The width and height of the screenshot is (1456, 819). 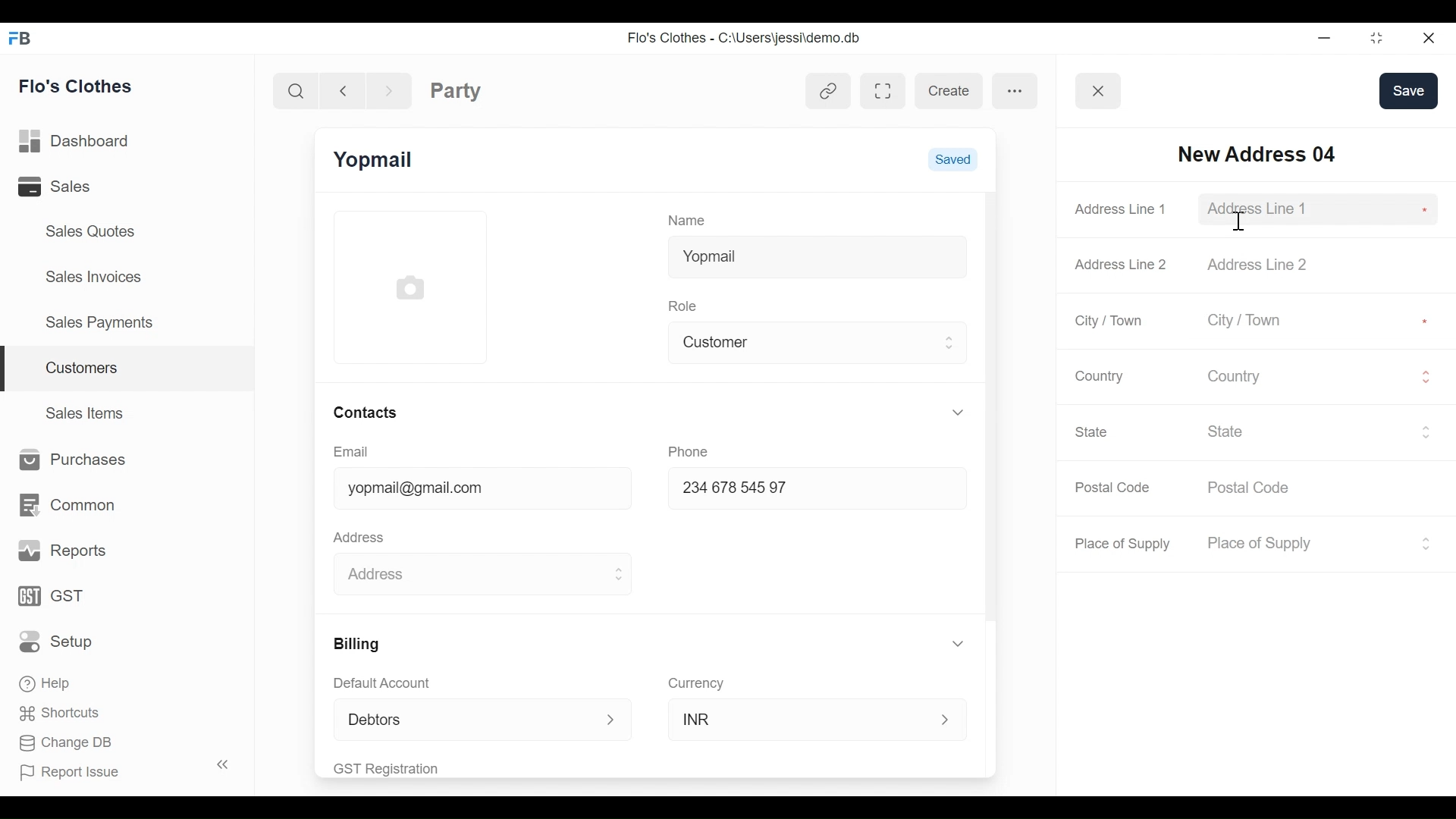 What do you see at coordinates (341, 89) in the screenshot?
I see `Navigate back` at bounding box center [341, 89].